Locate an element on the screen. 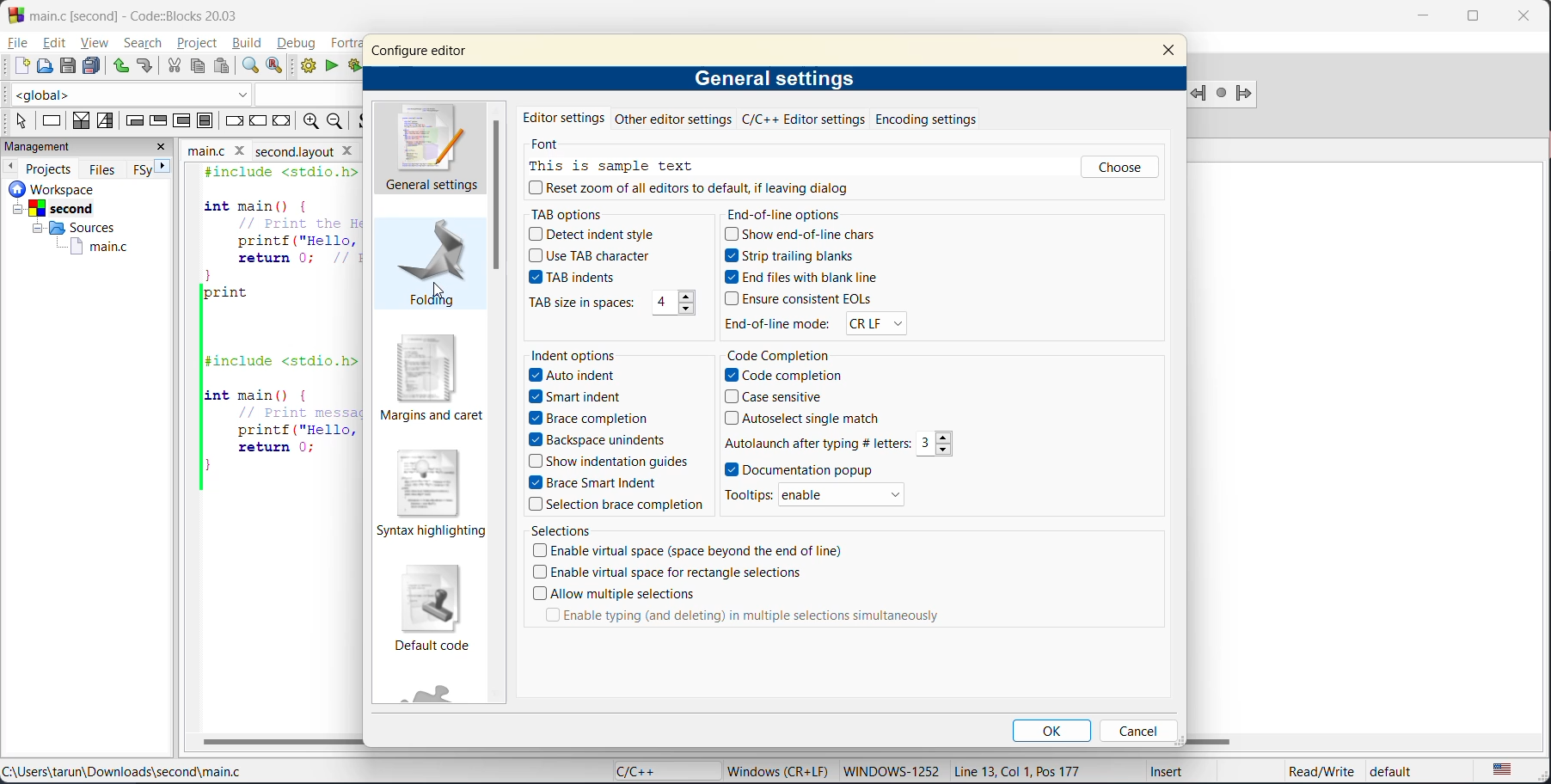 This screenshot has width=1551, height=784. break instruction is located at coordinates (236, 121).